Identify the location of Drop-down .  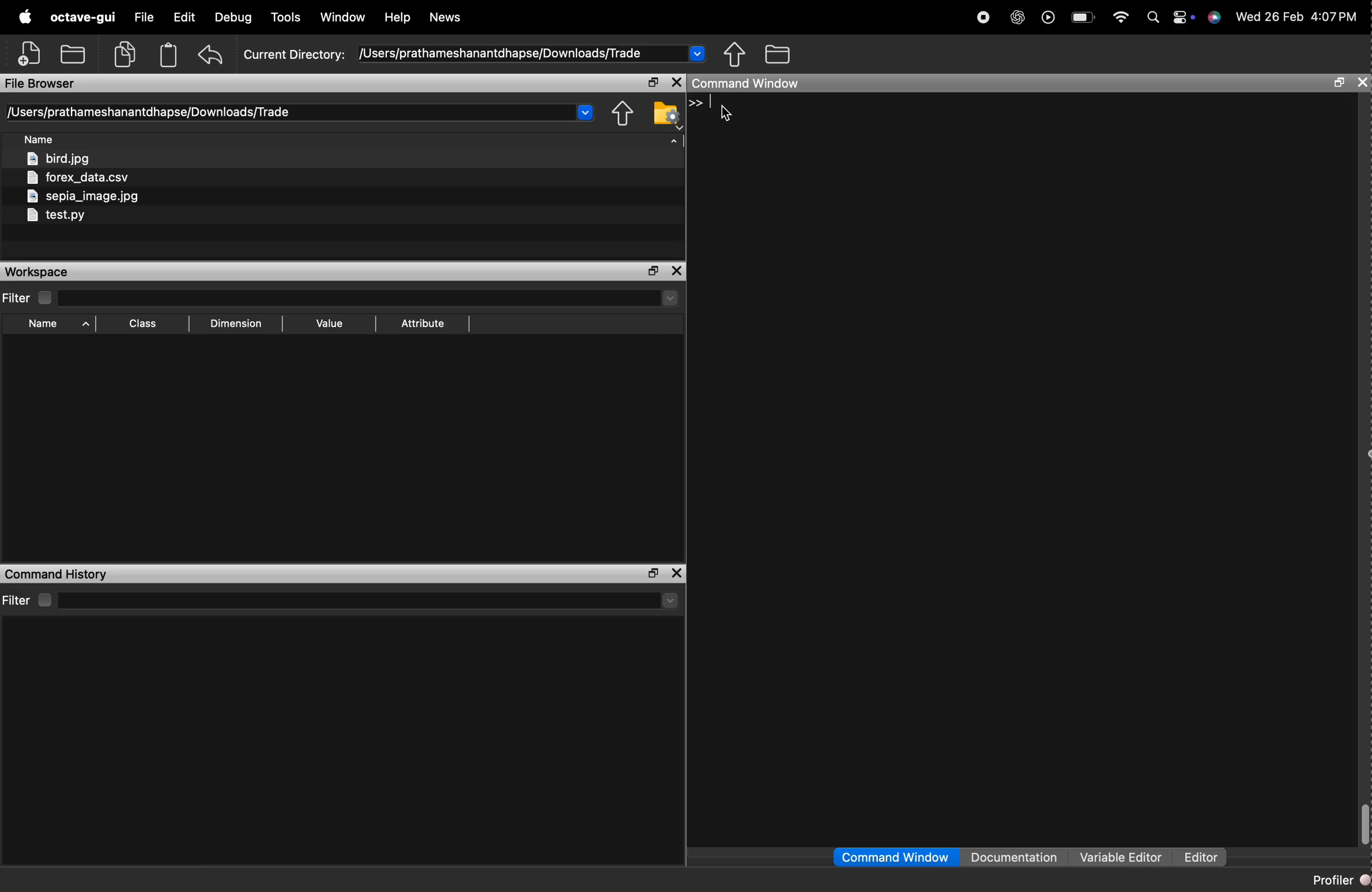
(698, 54).